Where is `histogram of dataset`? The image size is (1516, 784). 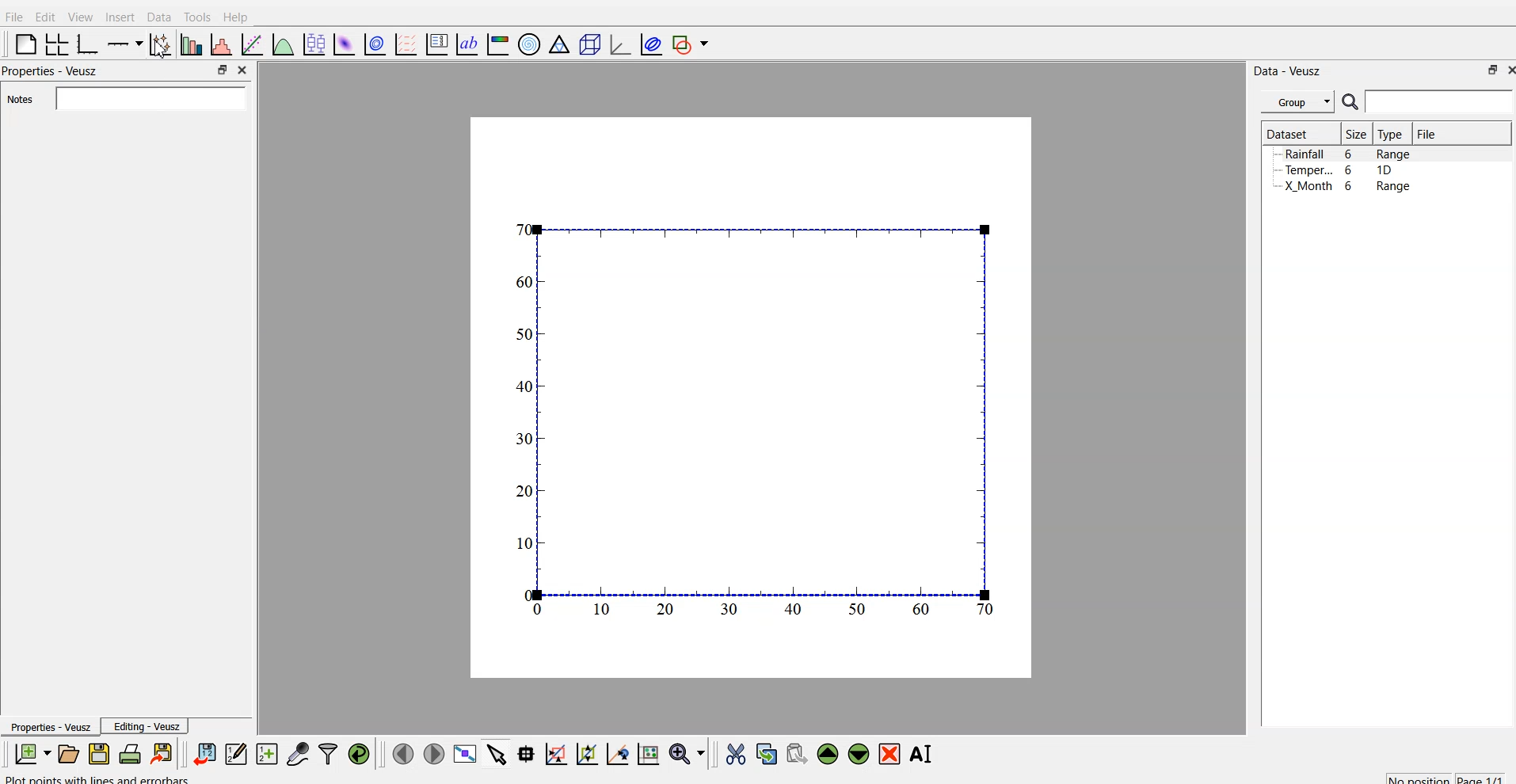
histogram of dataset is located at coordinates (223, 45).